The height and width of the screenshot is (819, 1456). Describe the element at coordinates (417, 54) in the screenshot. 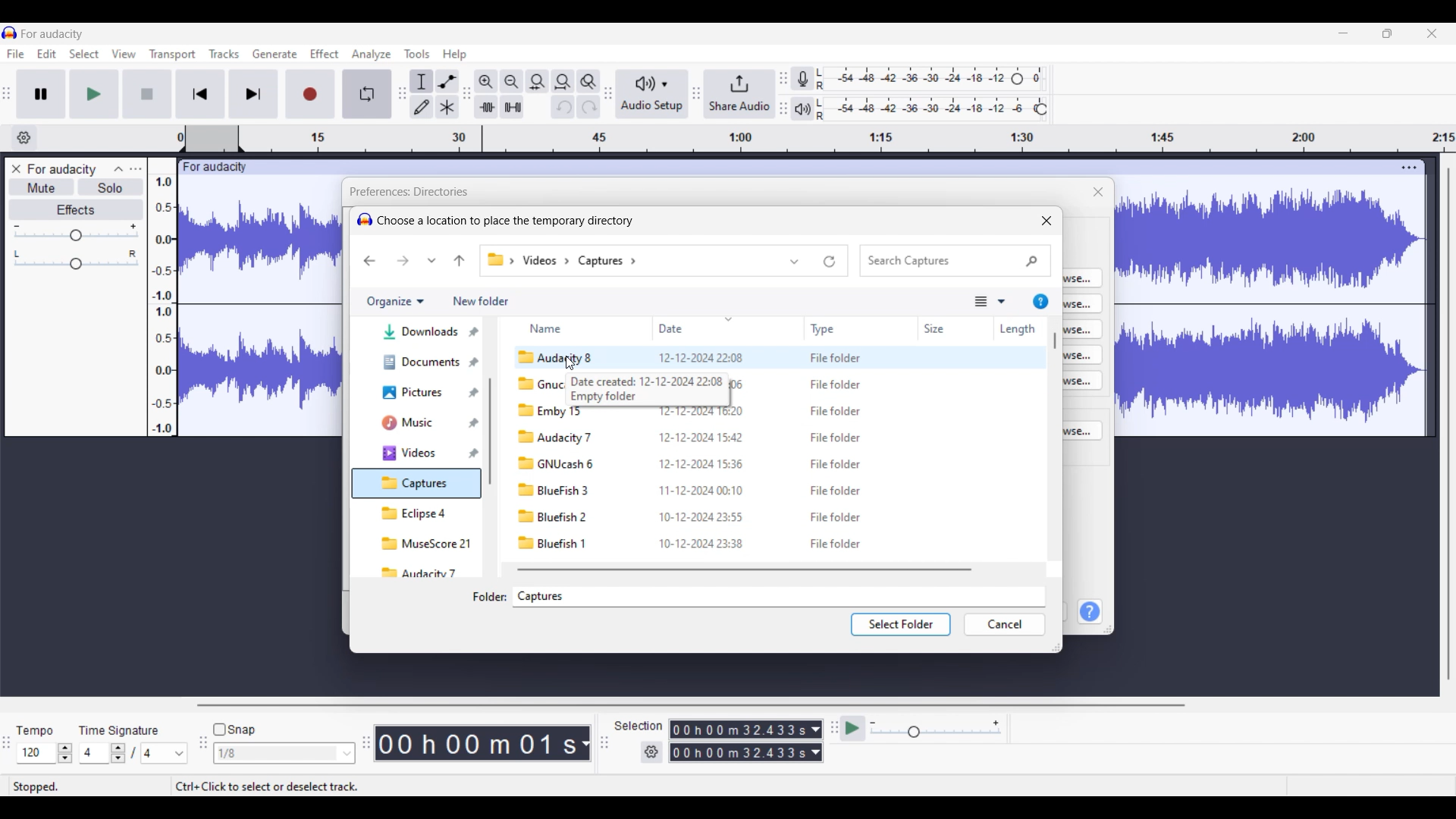

I see `Tools menu` at that location.